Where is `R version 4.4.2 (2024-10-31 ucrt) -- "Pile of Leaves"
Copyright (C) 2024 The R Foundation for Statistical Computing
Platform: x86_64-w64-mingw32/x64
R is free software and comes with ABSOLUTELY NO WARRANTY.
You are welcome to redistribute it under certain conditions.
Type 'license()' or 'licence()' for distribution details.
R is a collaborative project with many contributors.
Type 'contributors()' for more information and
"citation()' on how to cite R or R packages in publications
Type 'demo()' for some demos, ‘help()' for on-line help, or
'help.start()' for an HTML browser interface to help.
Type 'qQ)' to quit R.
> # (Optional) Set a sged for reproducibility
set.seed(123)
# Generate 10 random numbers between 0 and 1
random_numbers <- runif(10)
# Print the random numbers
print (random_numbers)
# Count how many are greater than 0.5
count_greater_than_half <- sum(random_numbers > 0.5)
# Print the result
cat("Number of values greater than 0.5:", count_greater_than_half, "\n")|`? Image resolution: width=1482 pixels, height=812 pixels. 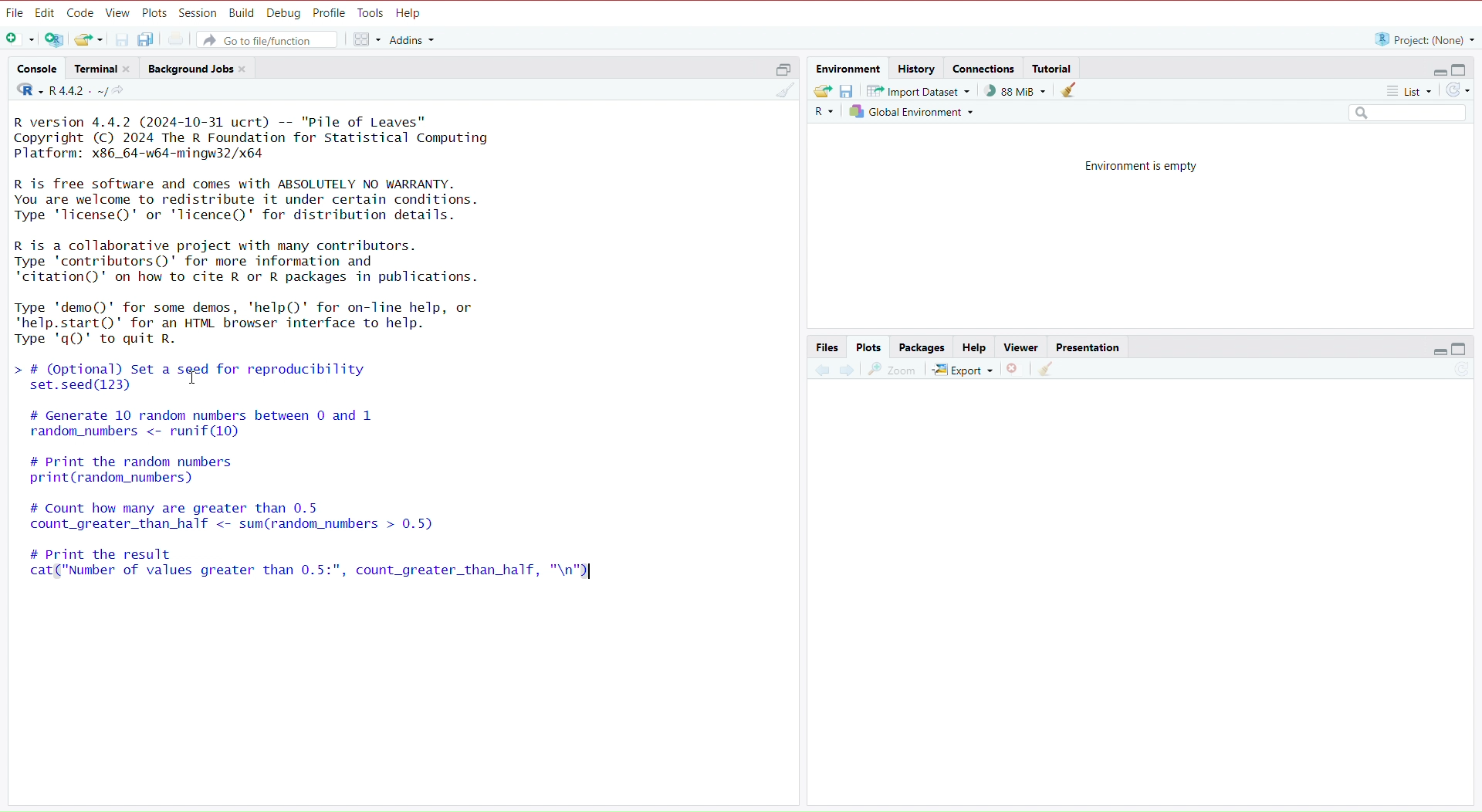 R version 4.4.2 (2024-10-31 ucrt) -- "Pile of Leaves"
Copyright (C) 2024 The R Foundation for Statistical Computing
Platform: x86_64-w64-mingw32/x64
R is free software and comes with ABSOLUTELY NO WARRANTY.
You are welcome to redistribute it under certain conditions.
Type 'license()' or 'licence()' for distribution details.
R is a collaborative project with many contributors.
Type 'contributors()' for more information and
"citation()' on how to cite R or R packages in publications
Type 'demo()' for some demos, ‘help()' for on-line help, or
'help.start()' for an HTML browser interface to help.
Type 'qQ)' to quit R.
> # (Optional) Set a sged for reproducibility
set.seed(123)
# Generate 10 random numbers between 0 and 1
random_numbers <- runif(10)
# Print the random numbers
print (random_numbers)
# Count how many are greater than 0.5
count_greater_than_half <- sum(random_numbers > 0.5)
# Print the result
cat("Number of values greater than 0.5:", count_greater_than_half, "\n")| is located at coordinates (392, 367).